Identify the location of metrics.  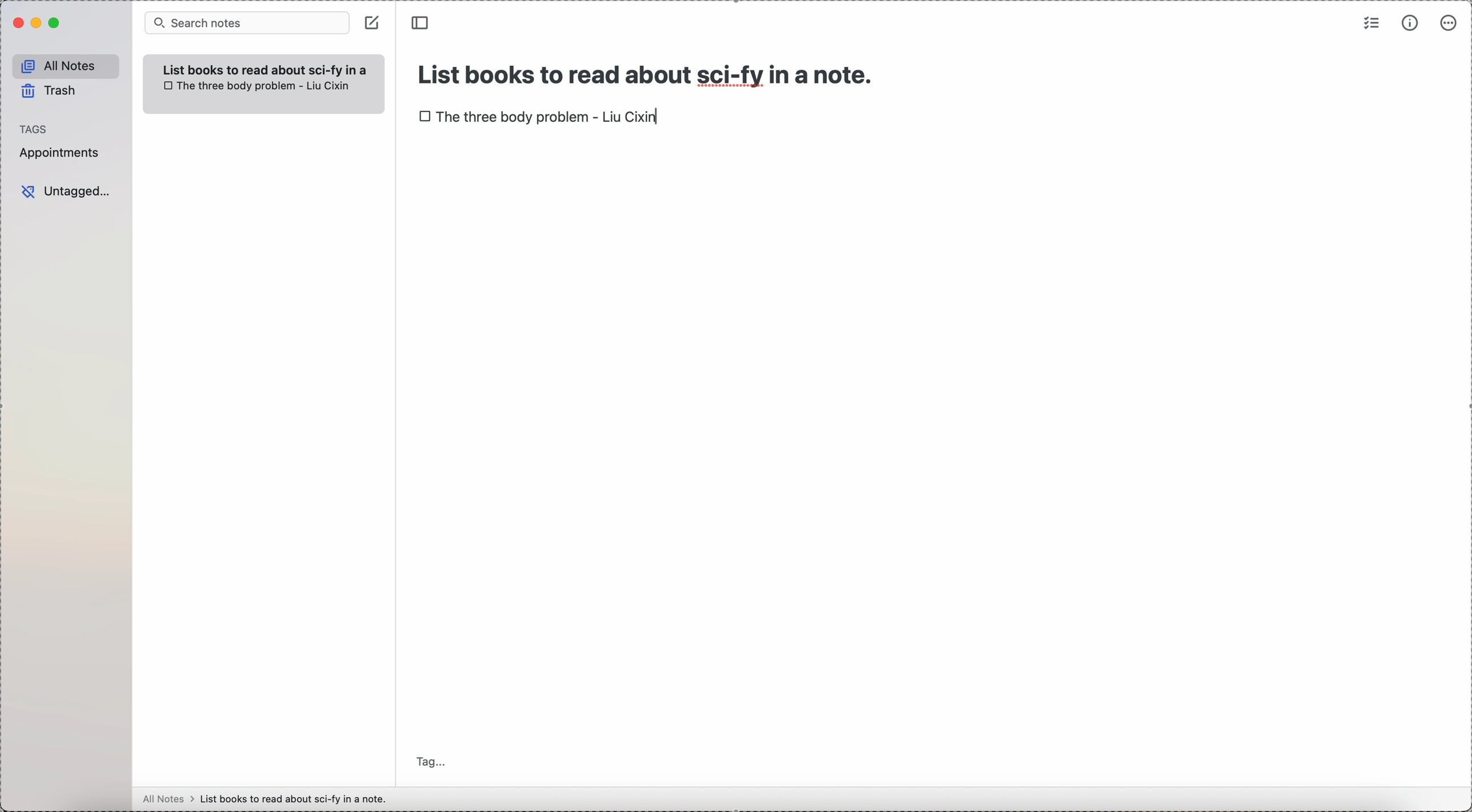
(1407, 23).